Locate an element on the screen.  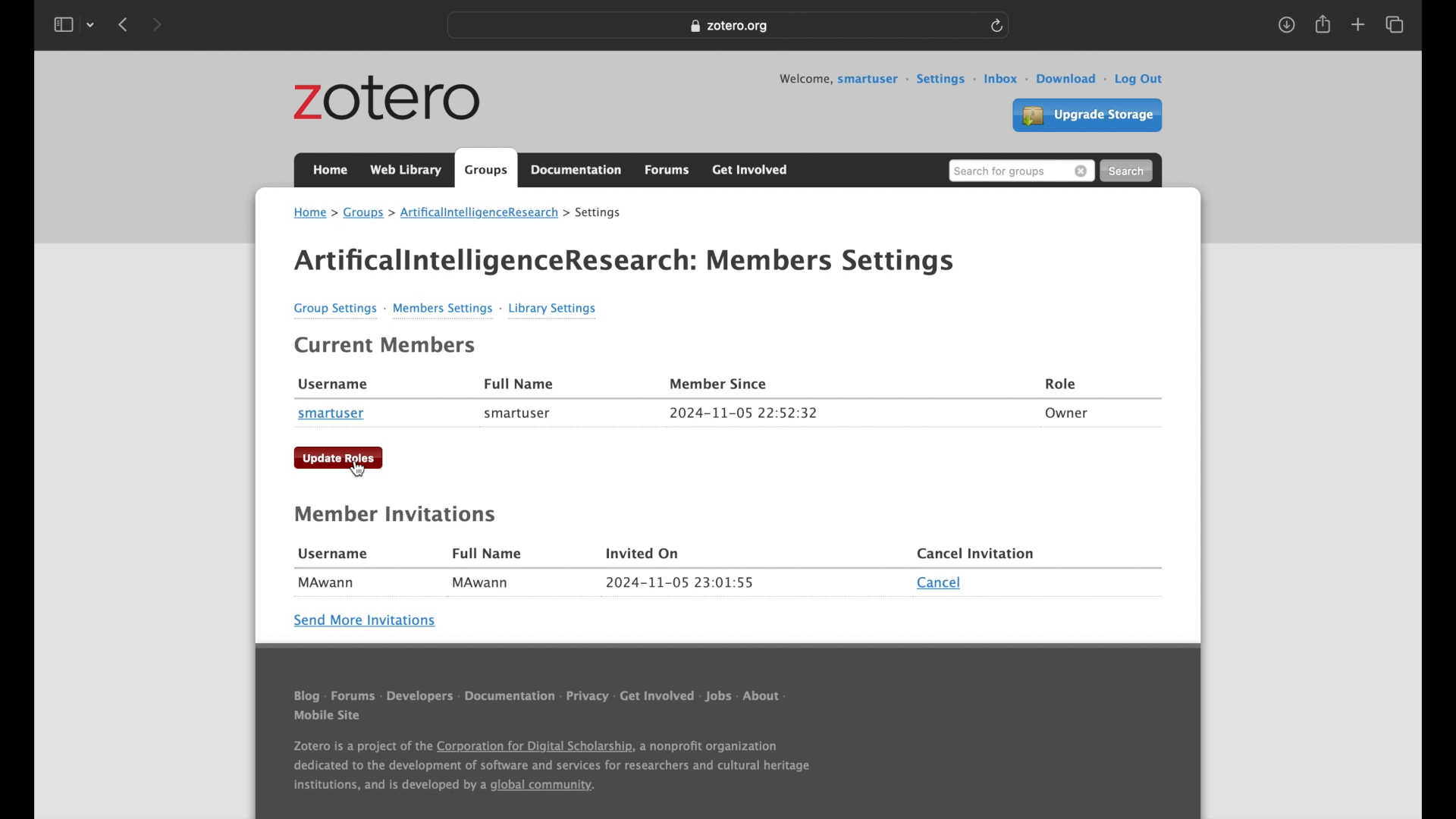
welcome, smartuser is located at coordinates (844, 80).